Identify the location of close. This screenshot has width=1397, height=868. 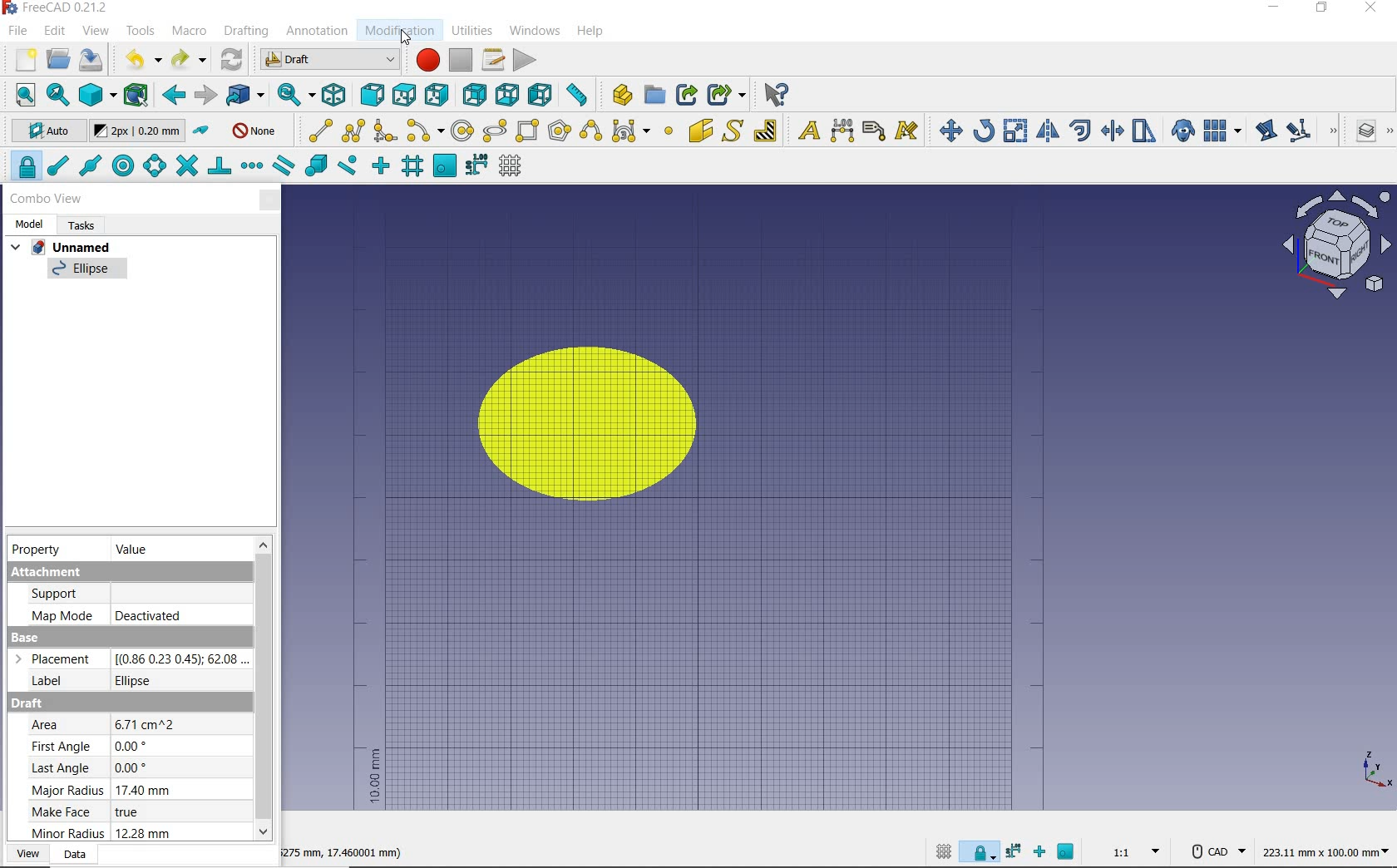
(270, 200).